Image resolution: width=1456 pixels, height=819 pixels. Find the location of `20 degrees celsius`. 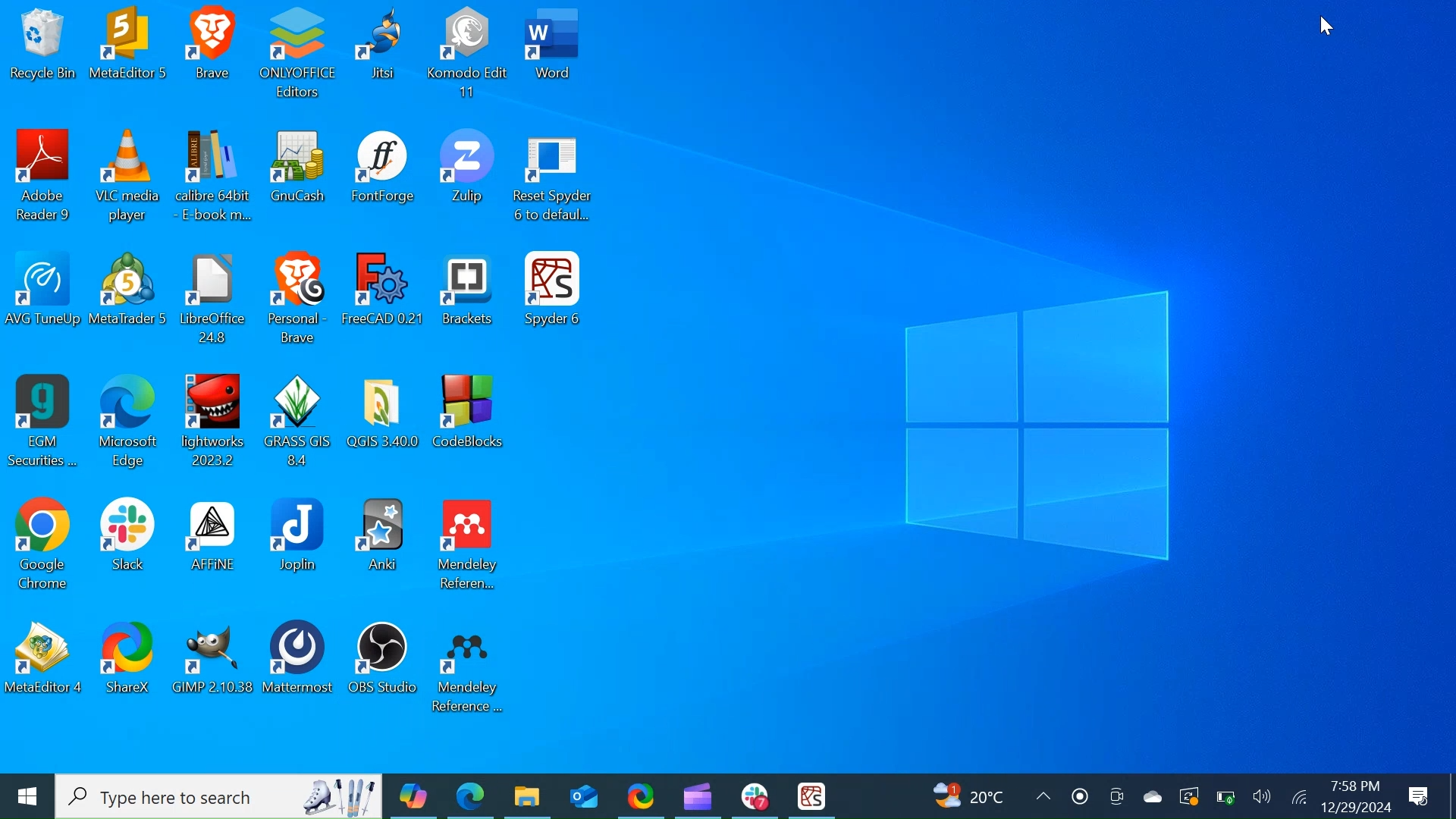

20 degrees celsius is located at coordinates (986, 795).